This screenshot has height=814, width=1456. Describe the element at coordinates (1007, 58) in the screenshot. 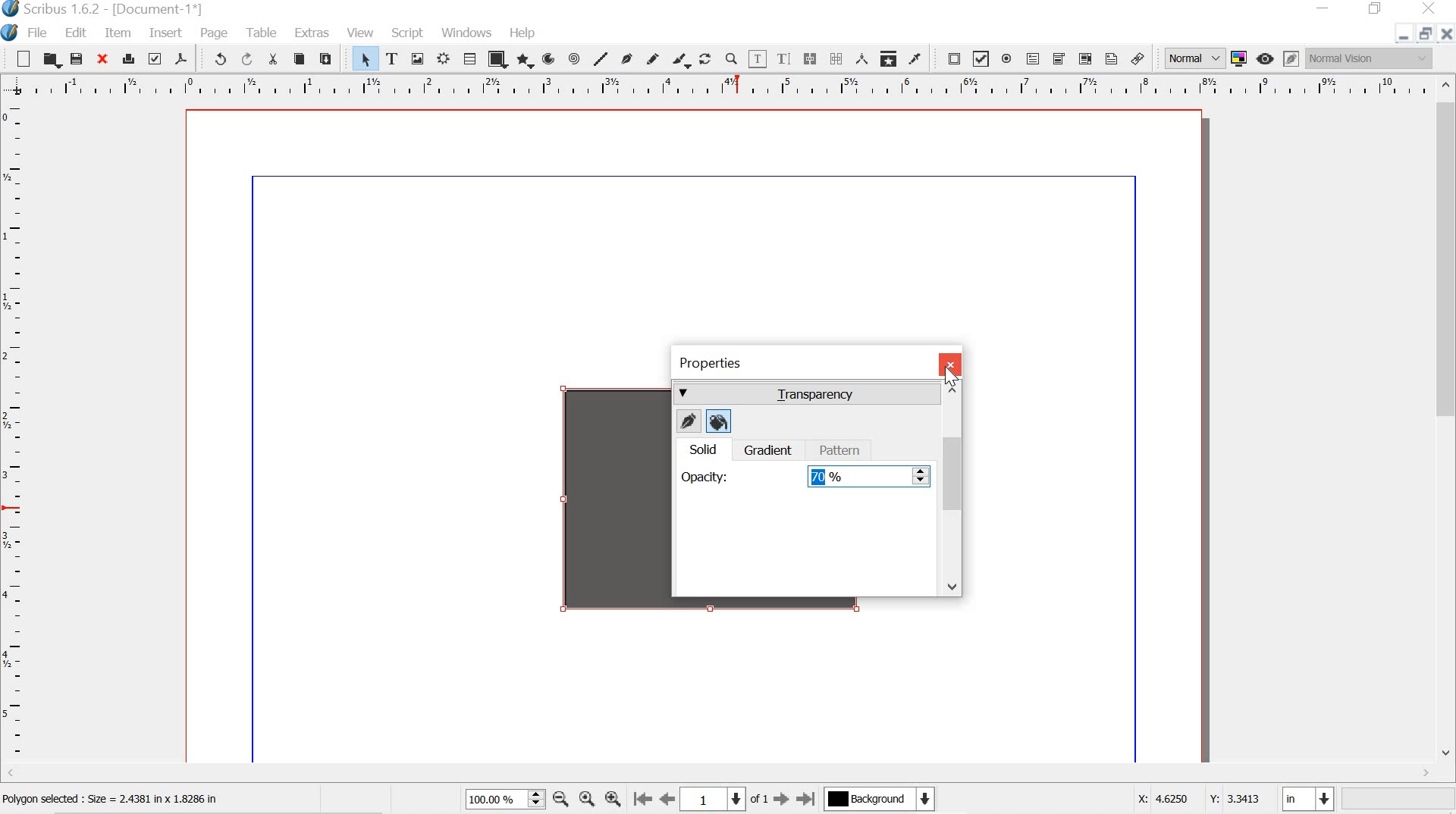

I see `pdf radio button` at that location.